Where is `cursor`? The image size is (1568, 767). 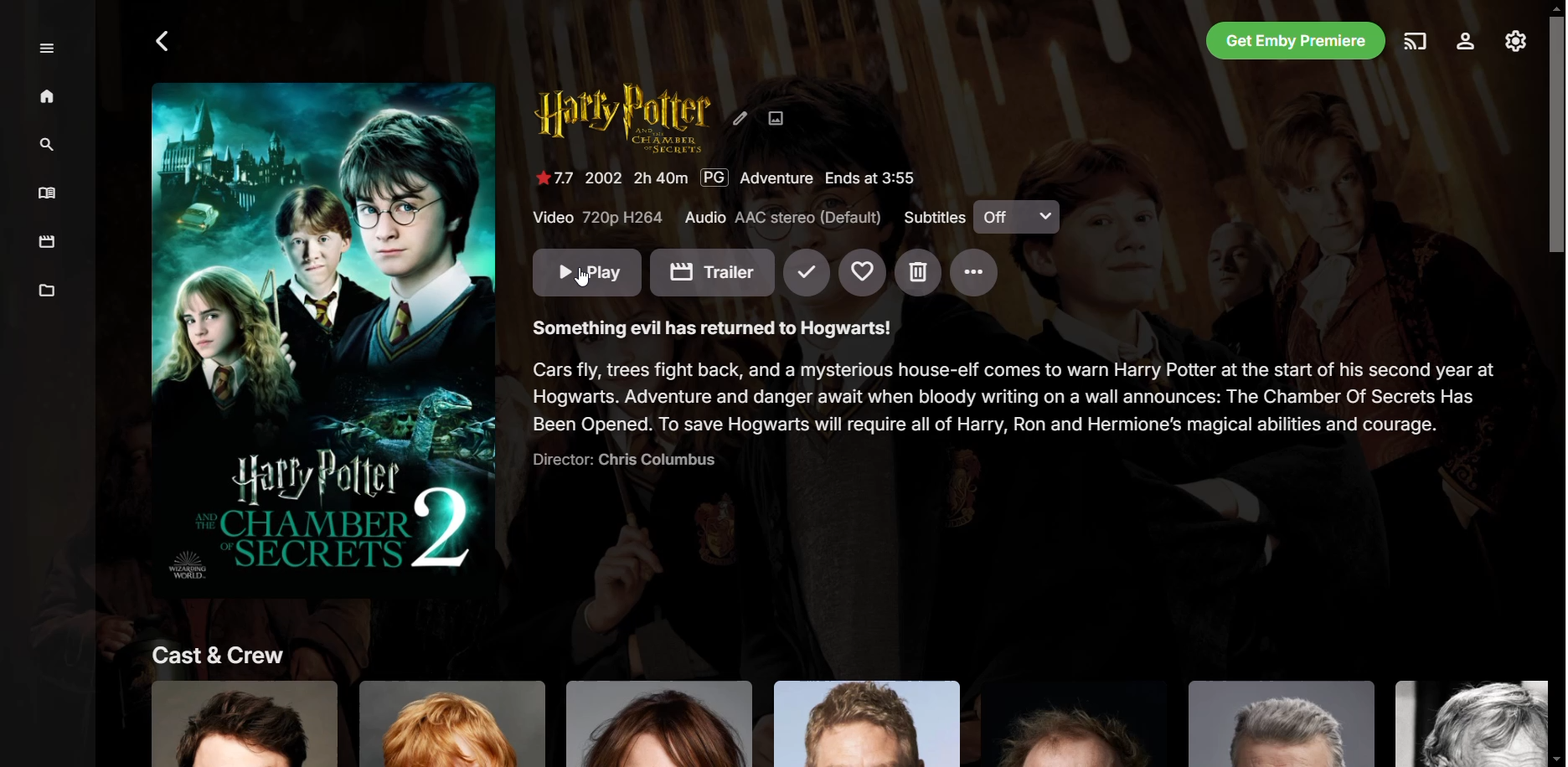
cursor is located at coordinates (590, 285).